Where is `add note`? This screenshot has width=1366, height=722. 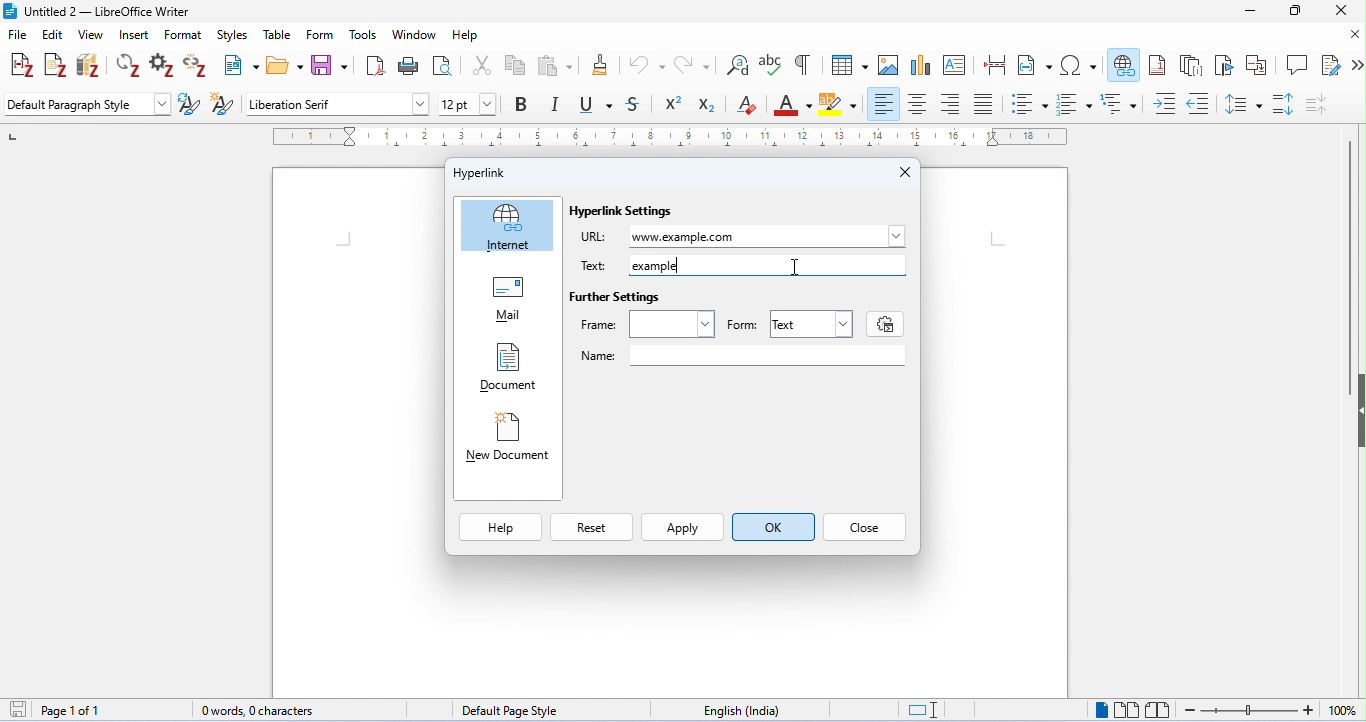 add note is located at coordinates (56, 65).